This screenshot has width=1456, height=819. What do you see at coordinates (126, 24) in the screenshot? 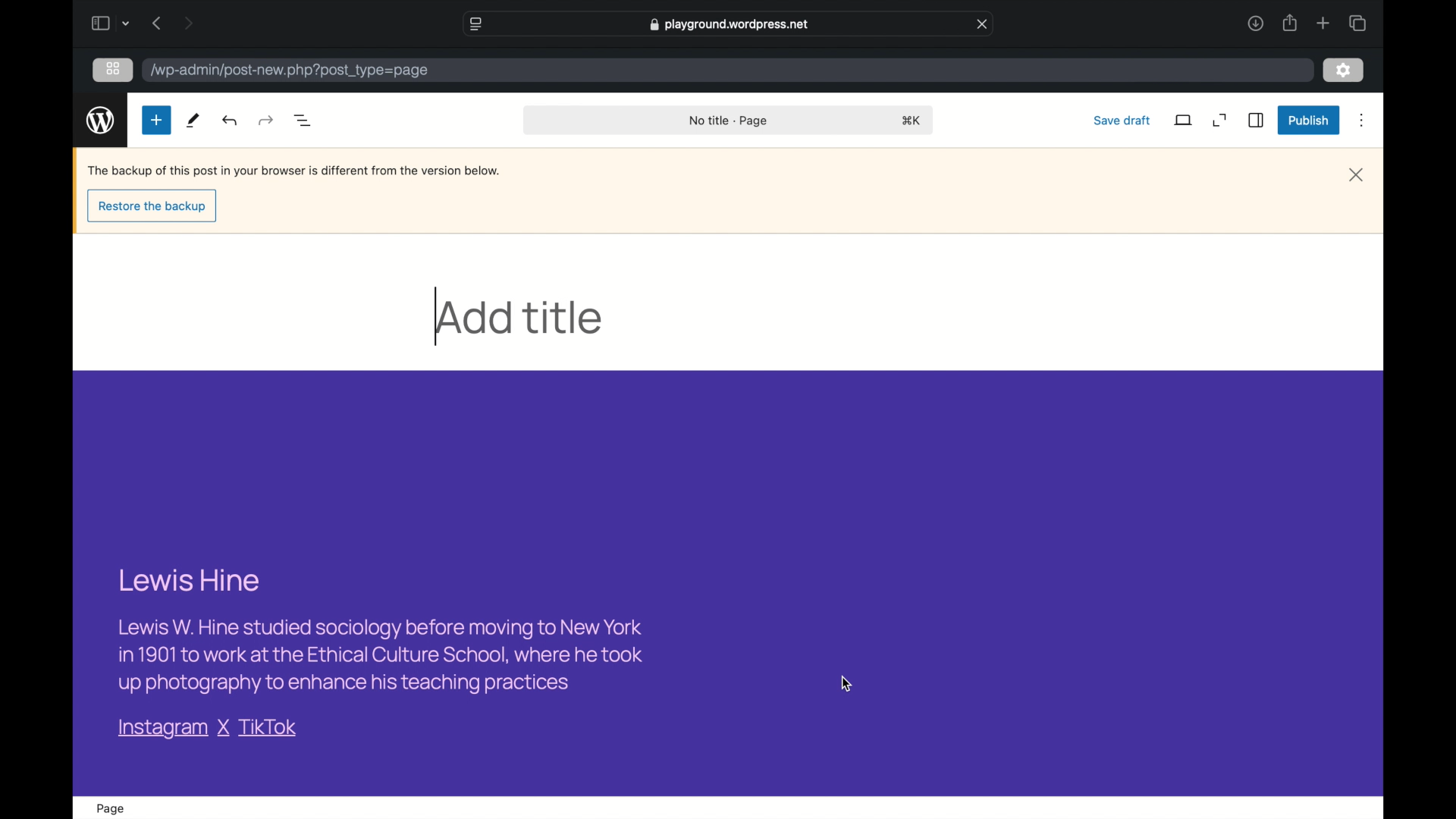
I see `drop-down` at bounding box center [126, 24].